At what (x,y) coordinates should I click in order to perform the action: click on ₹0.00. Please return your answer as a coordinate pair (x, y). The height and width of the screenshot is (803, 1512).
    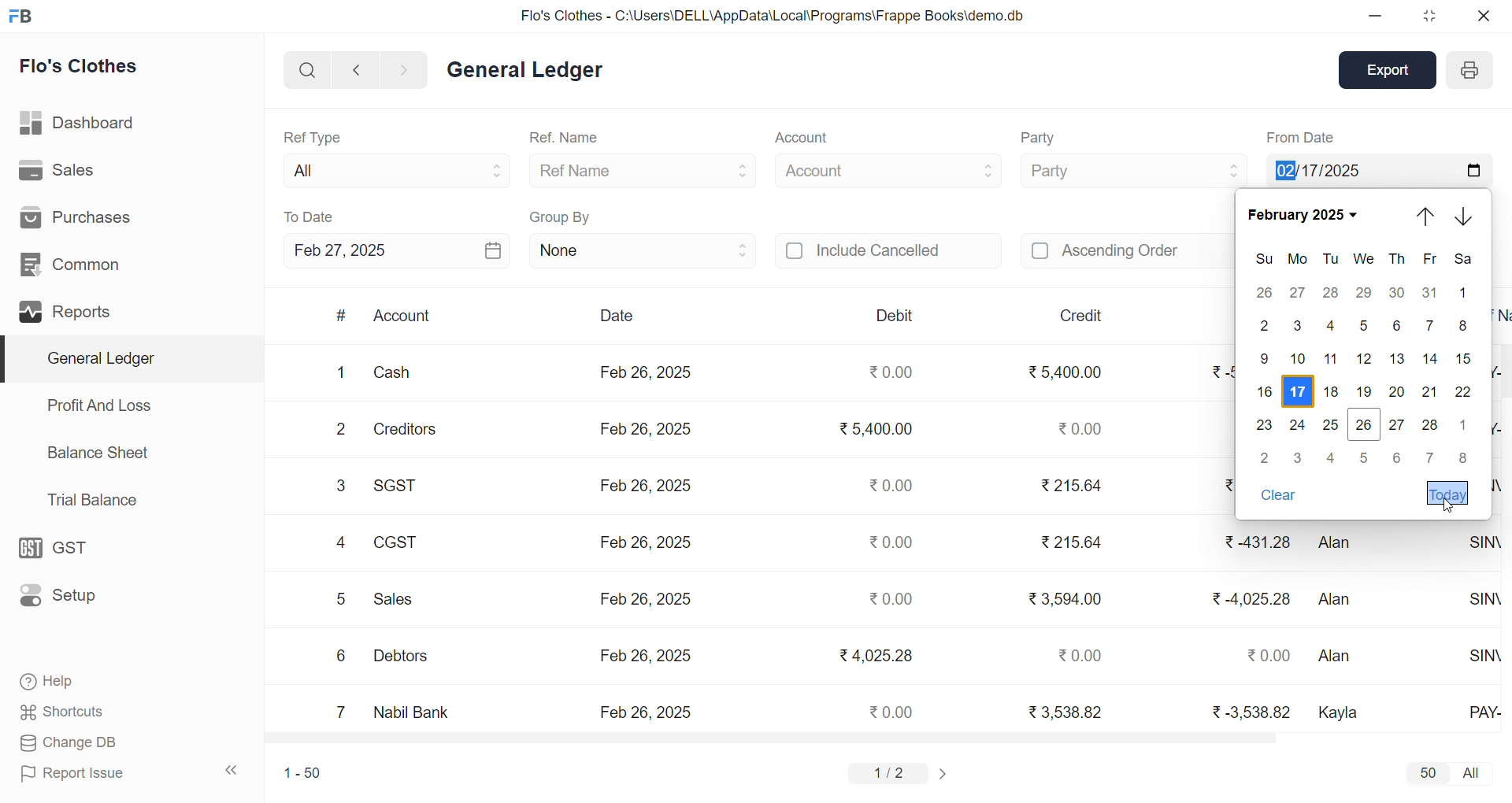
    Looking at the image, I should click on (889, 485).